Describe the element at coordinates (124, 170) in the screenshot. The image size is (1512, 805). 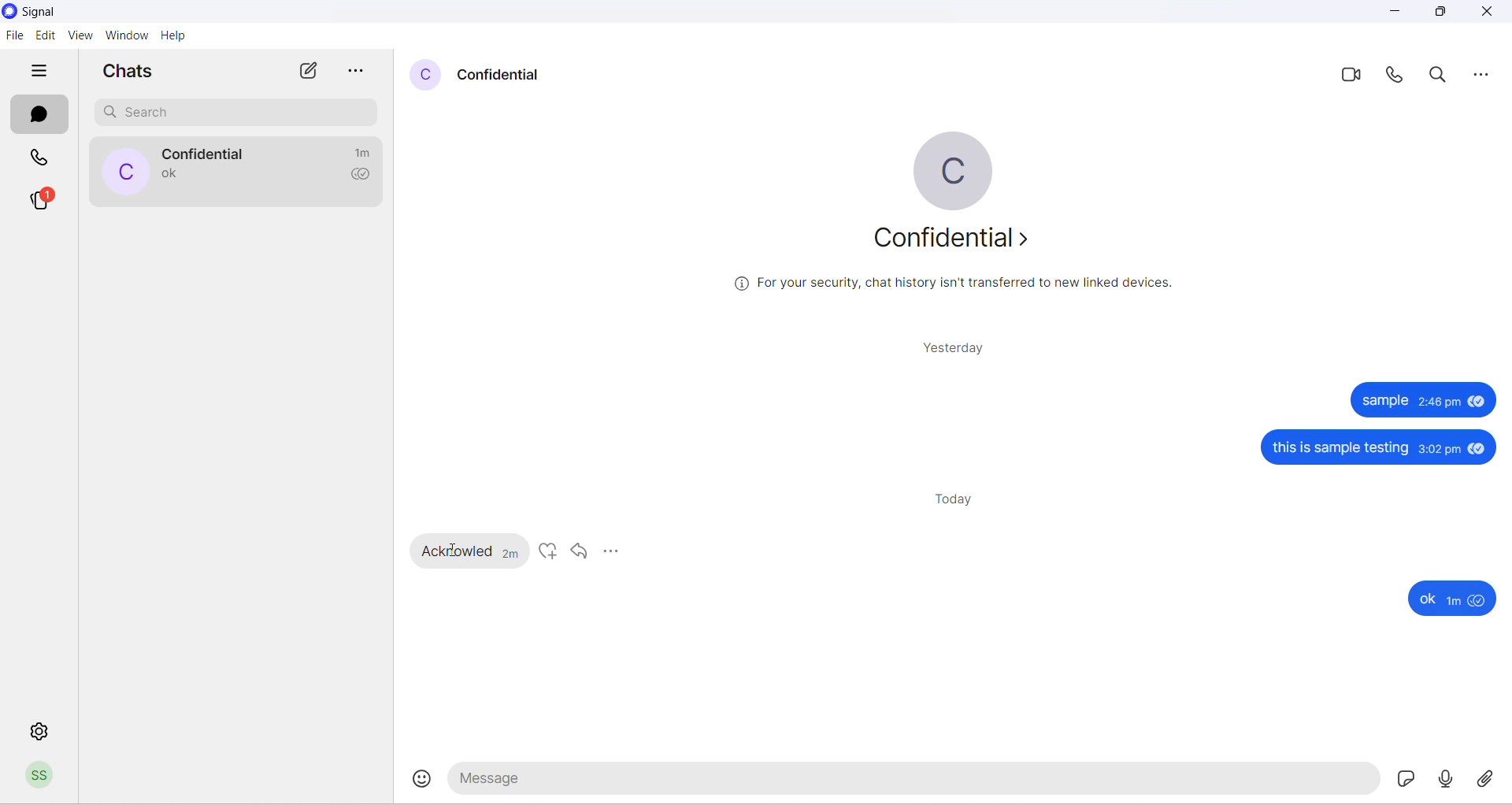
I see `profile picture` at that location.